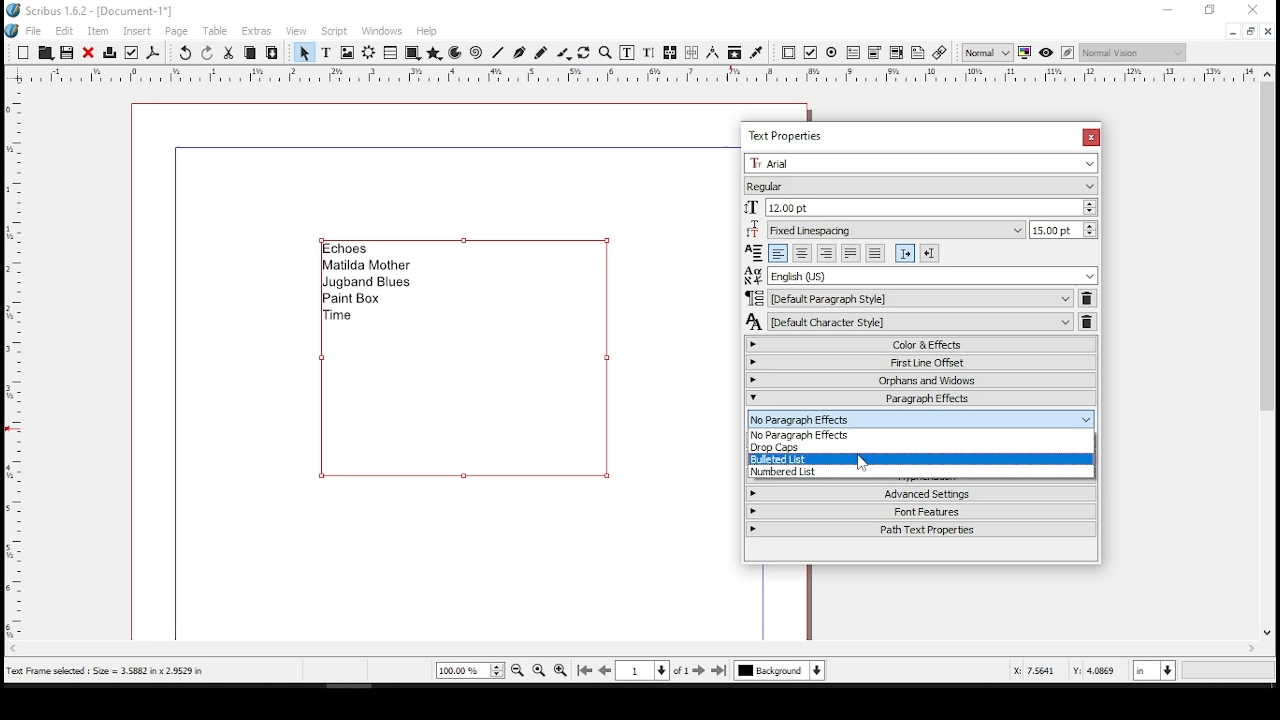 The width and height of the screenshot is (1280, 720). Describe the element at coordinates (863, 461) in the screenshot. I see `mouse pointer` at that location.